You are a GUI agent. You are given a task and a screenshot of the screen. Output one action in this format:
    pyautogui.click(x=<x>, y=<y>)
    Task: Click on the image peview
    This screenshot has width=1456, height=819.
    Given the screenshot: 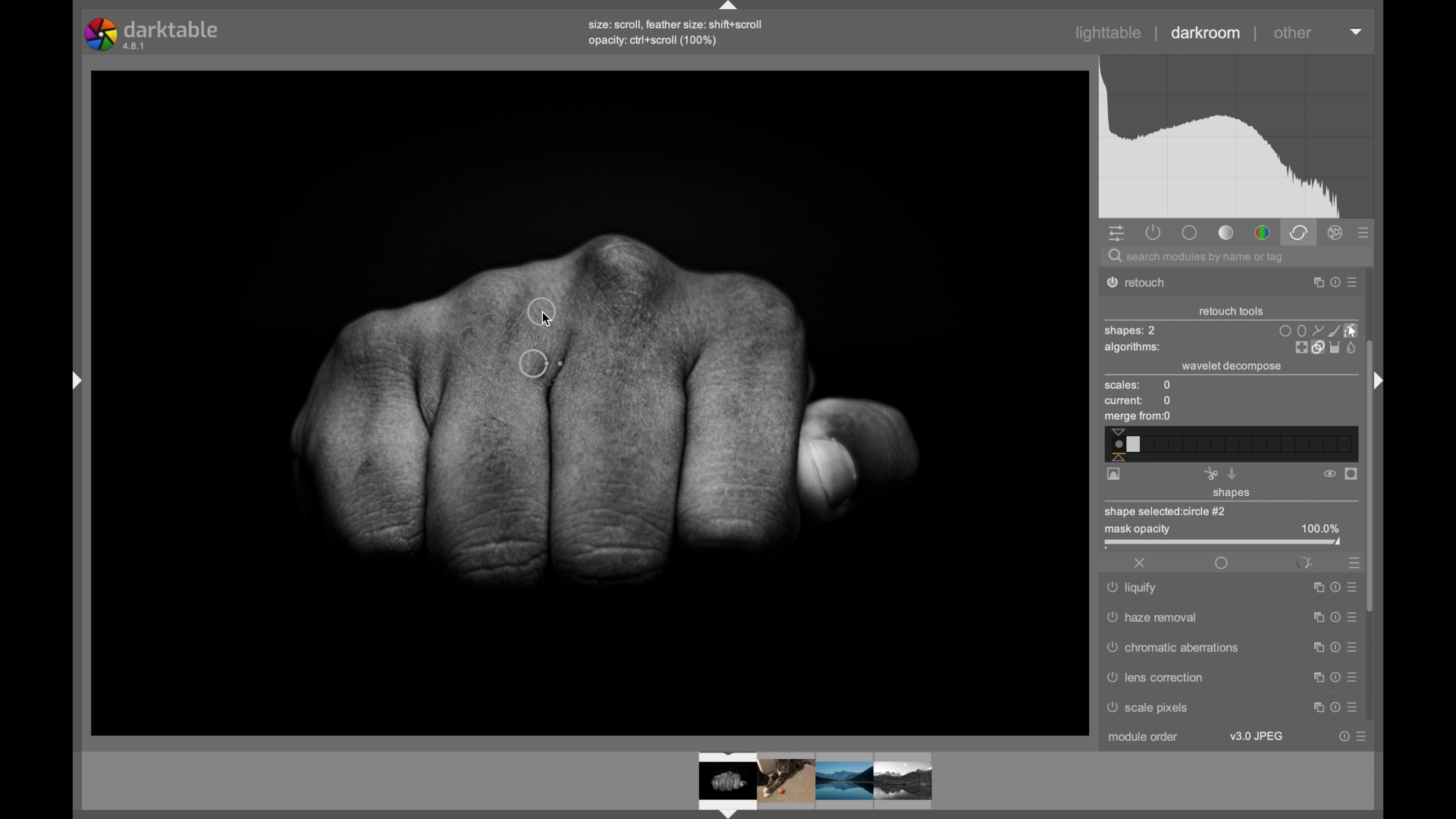 What is the action you would take?
    pyautogui.click(x=800, y=783)
    